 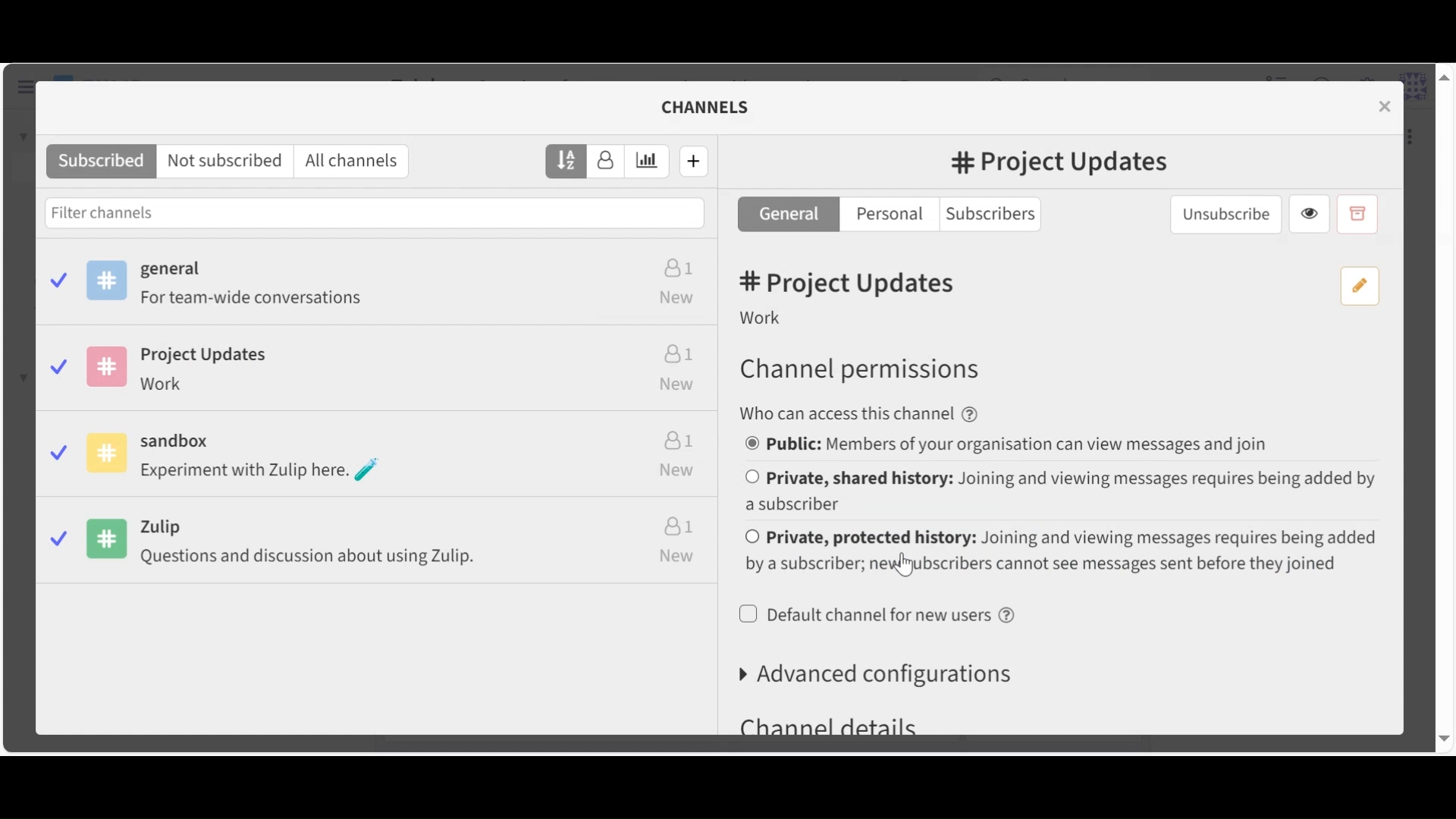 What do you see at coordinates (876, 374) in the screenshot?
I see `Channel permissions` at bounding box center [876, 374].